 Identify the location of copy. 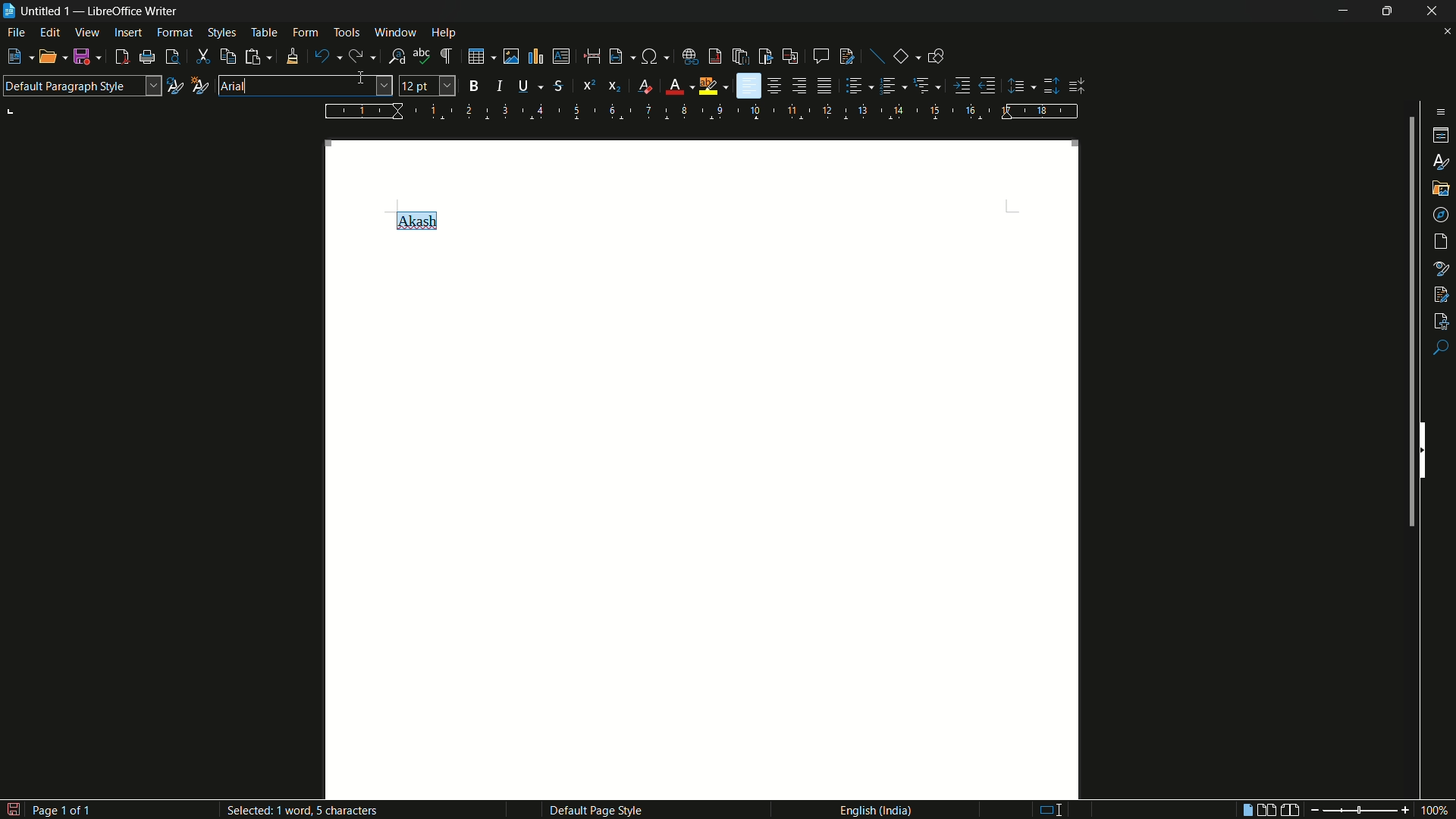
(228, 57).